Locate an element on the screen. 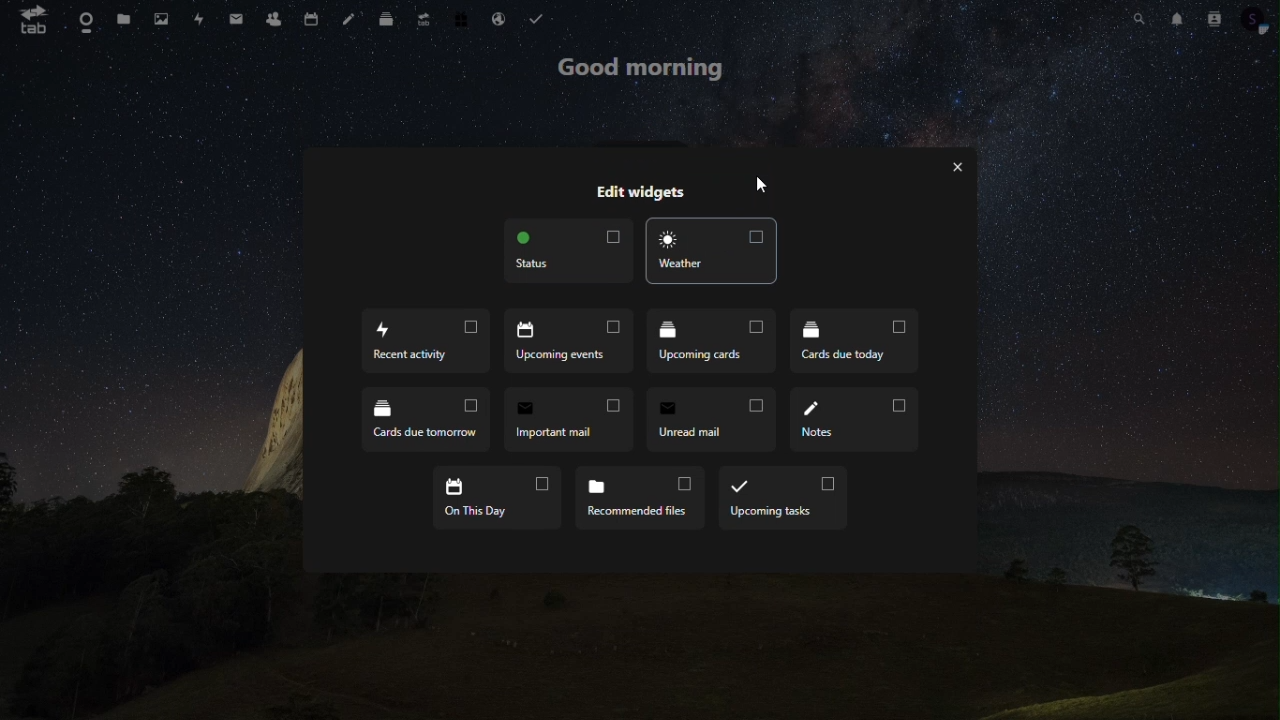 The height and width of the screenshot is (720, 1280). important mail is located at coordinates (569, 419).